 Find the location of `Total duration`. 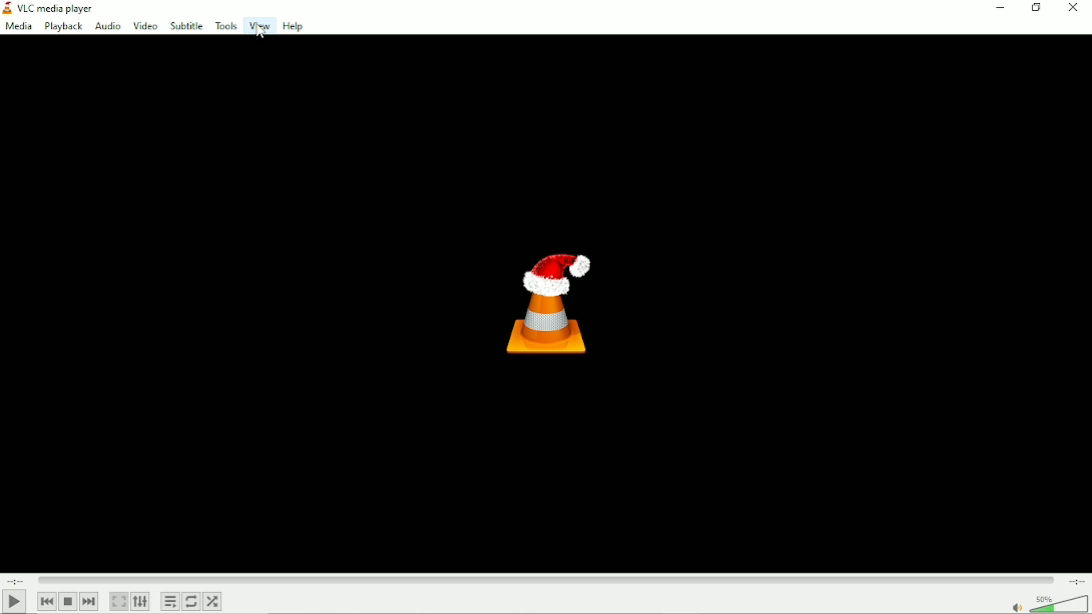

Total duration is located at coordinates (1075, 580).